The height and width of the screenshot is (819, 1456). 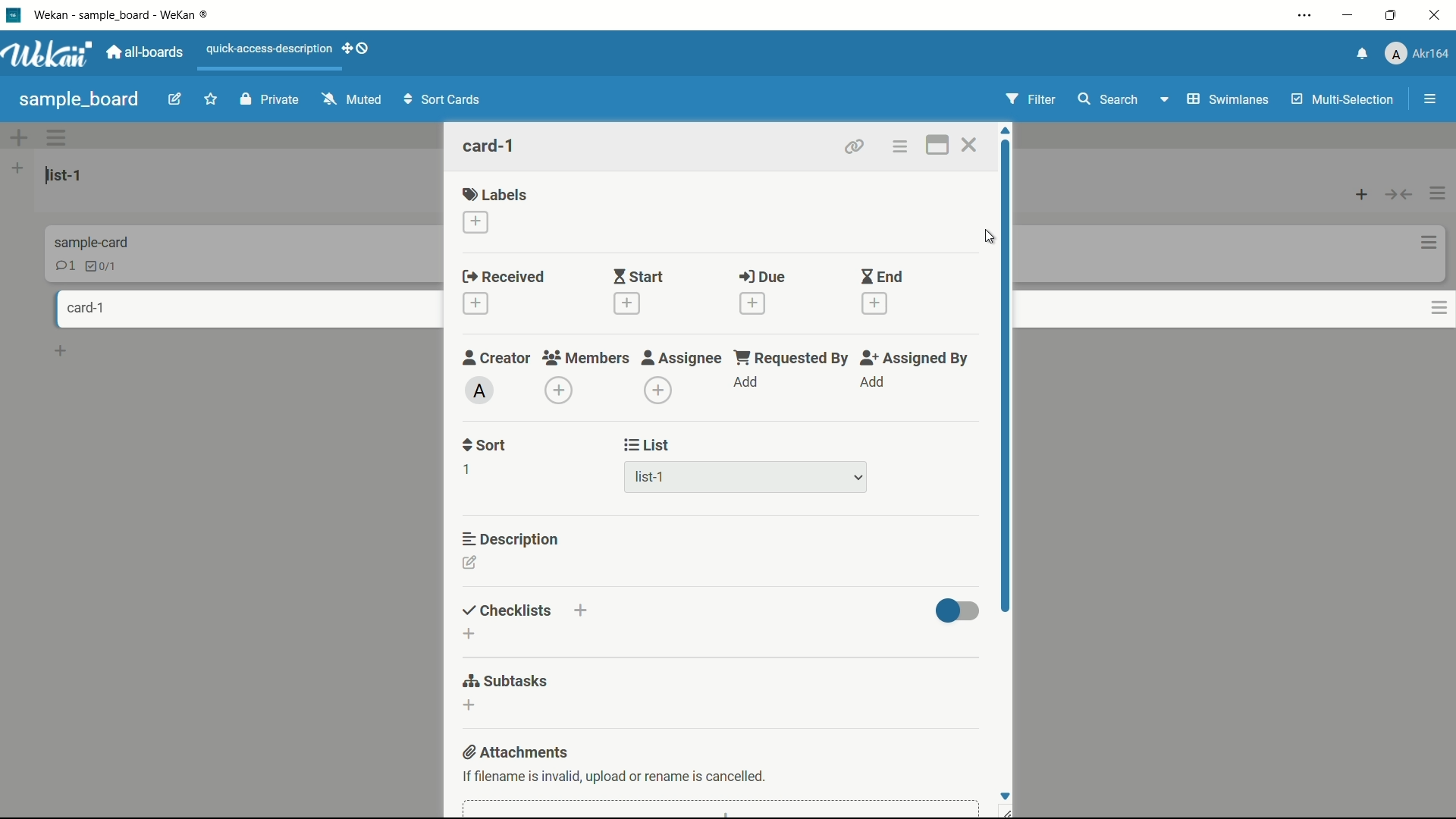 What do you see at coordinates (683, 356) in the screenshot?
I see `assignee` at bounding box center [683, 356].